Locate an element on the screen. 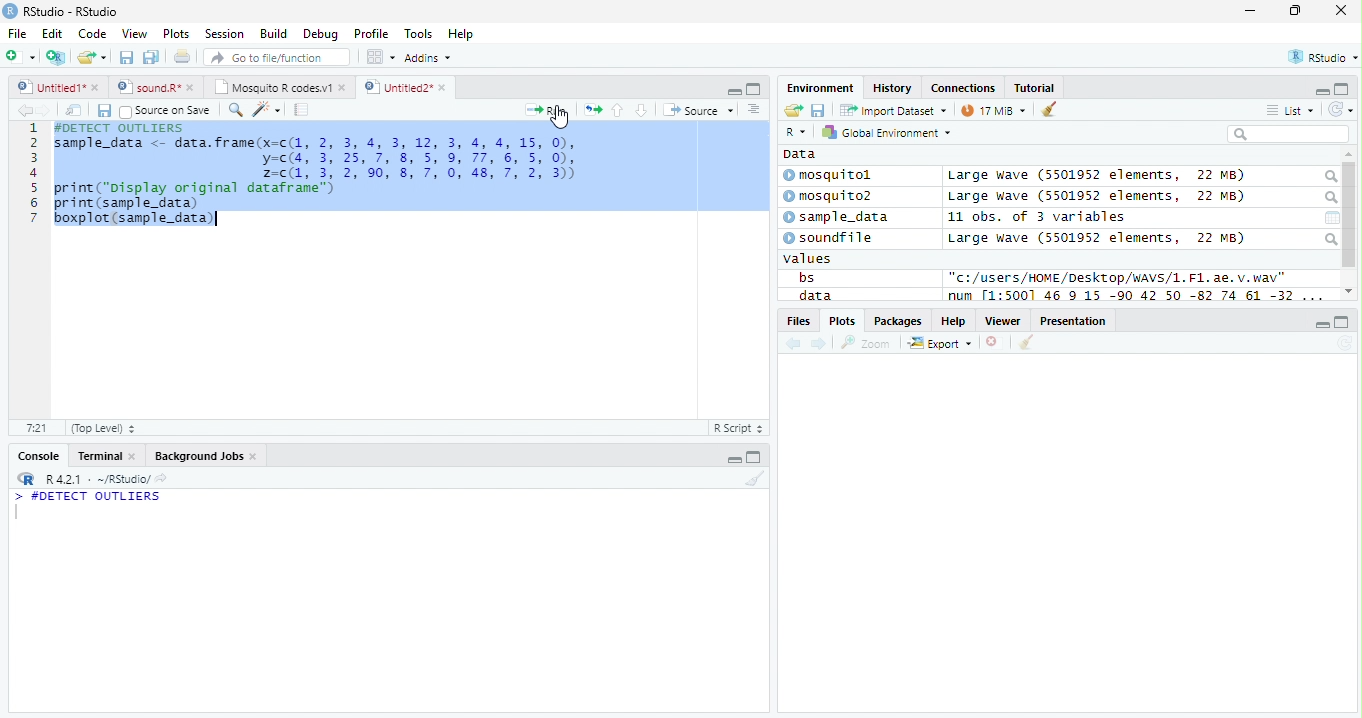 This screenshot has width=1362, height=718. Tutorial is located at coordinates (1035, 89).